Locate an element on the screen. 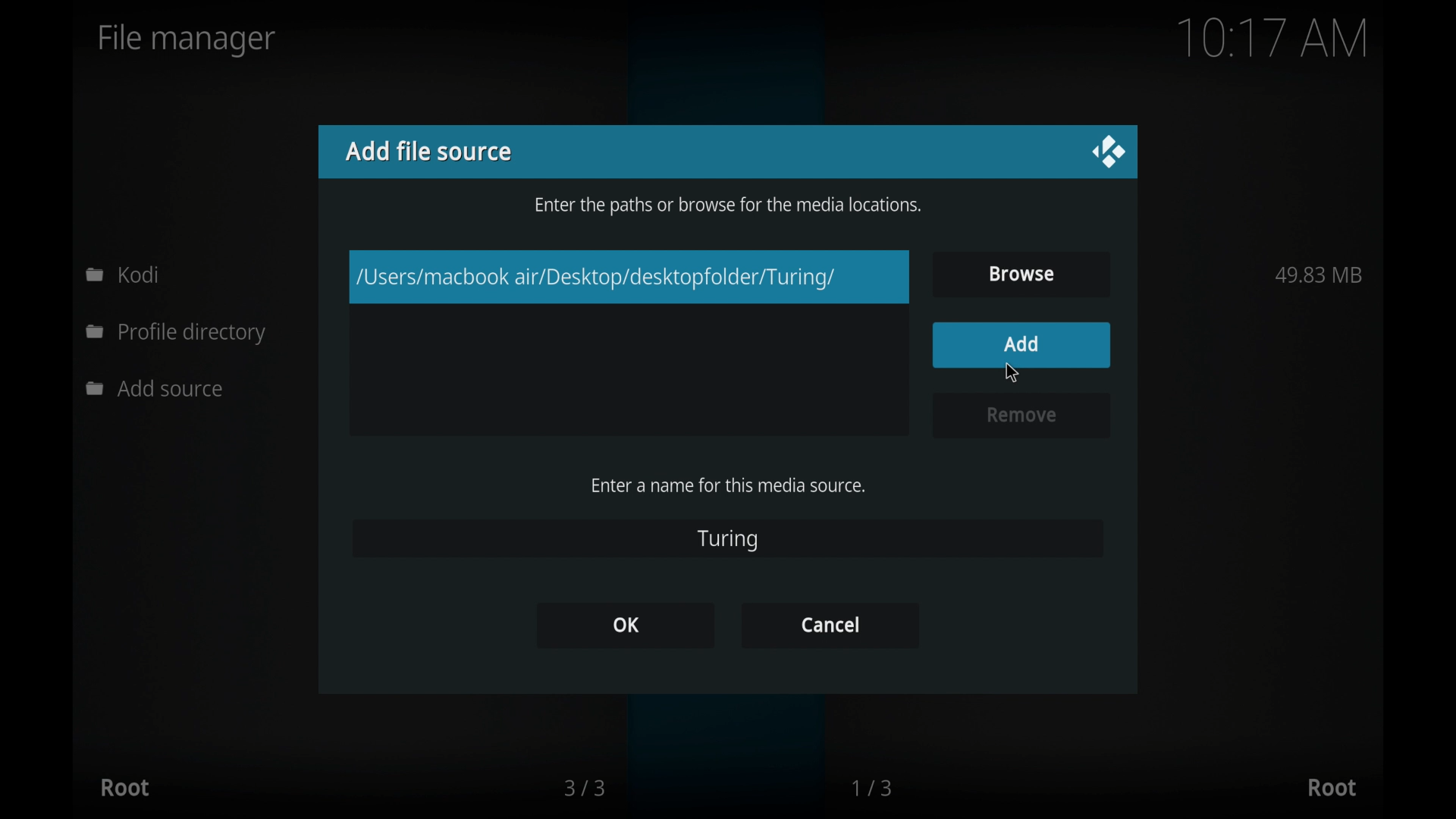  root is located at coordinates (1332, 788).